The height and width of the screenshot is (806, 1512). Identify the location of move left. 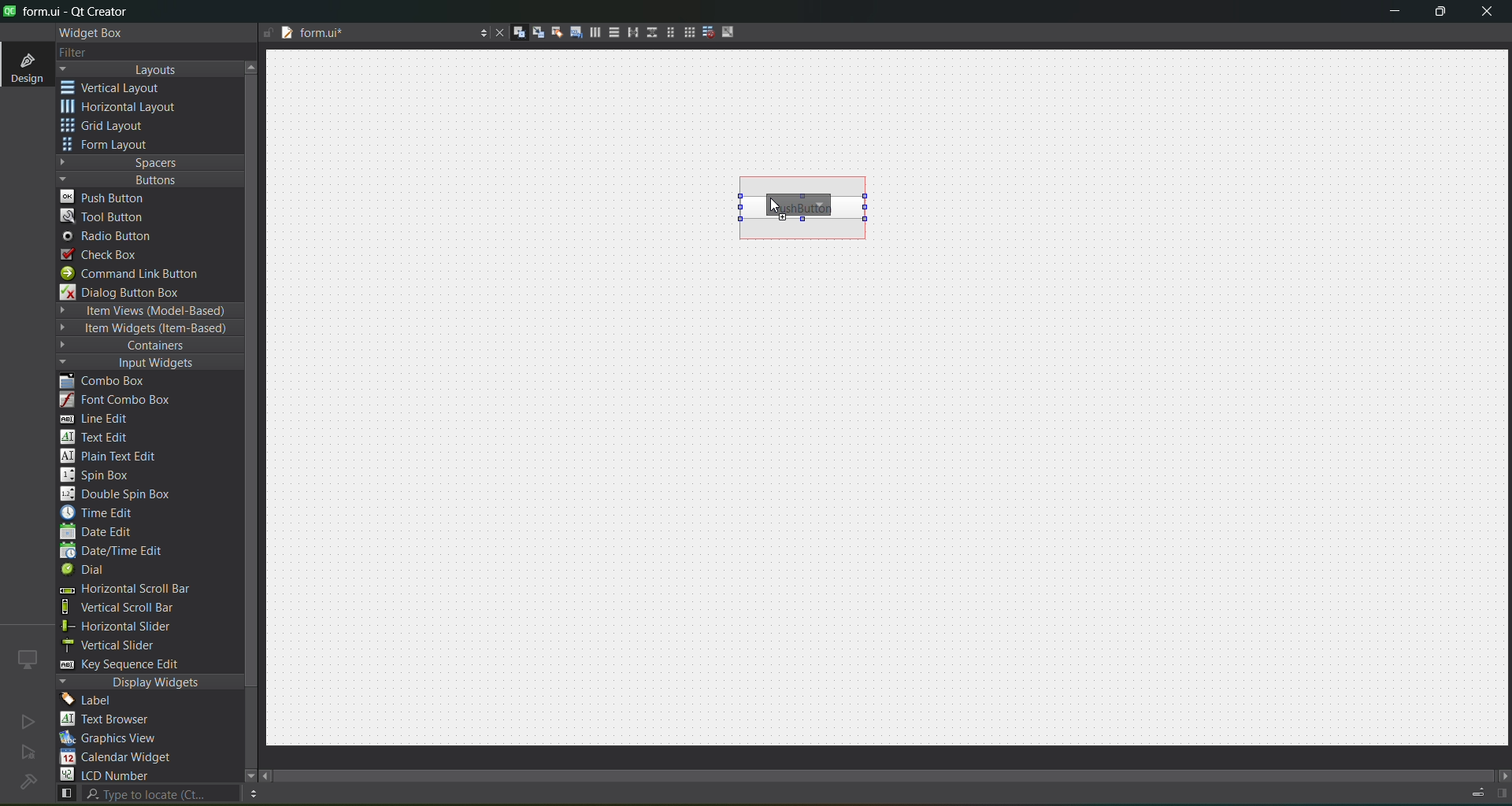
(268, 777).